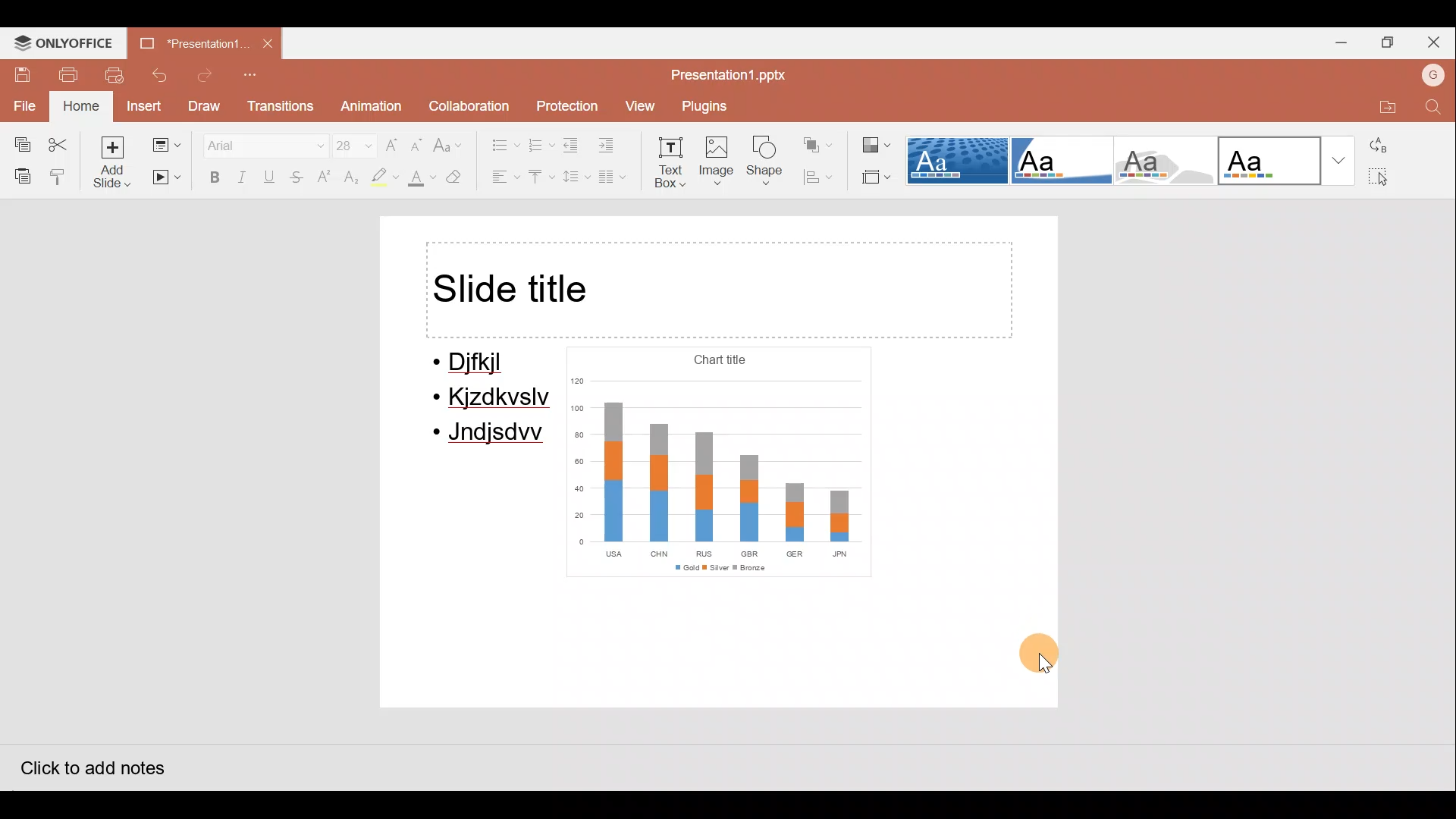  What do you see at coordinates (262, 143) in the screenshot?
I see `Font name` at bounding box center [262, 143].